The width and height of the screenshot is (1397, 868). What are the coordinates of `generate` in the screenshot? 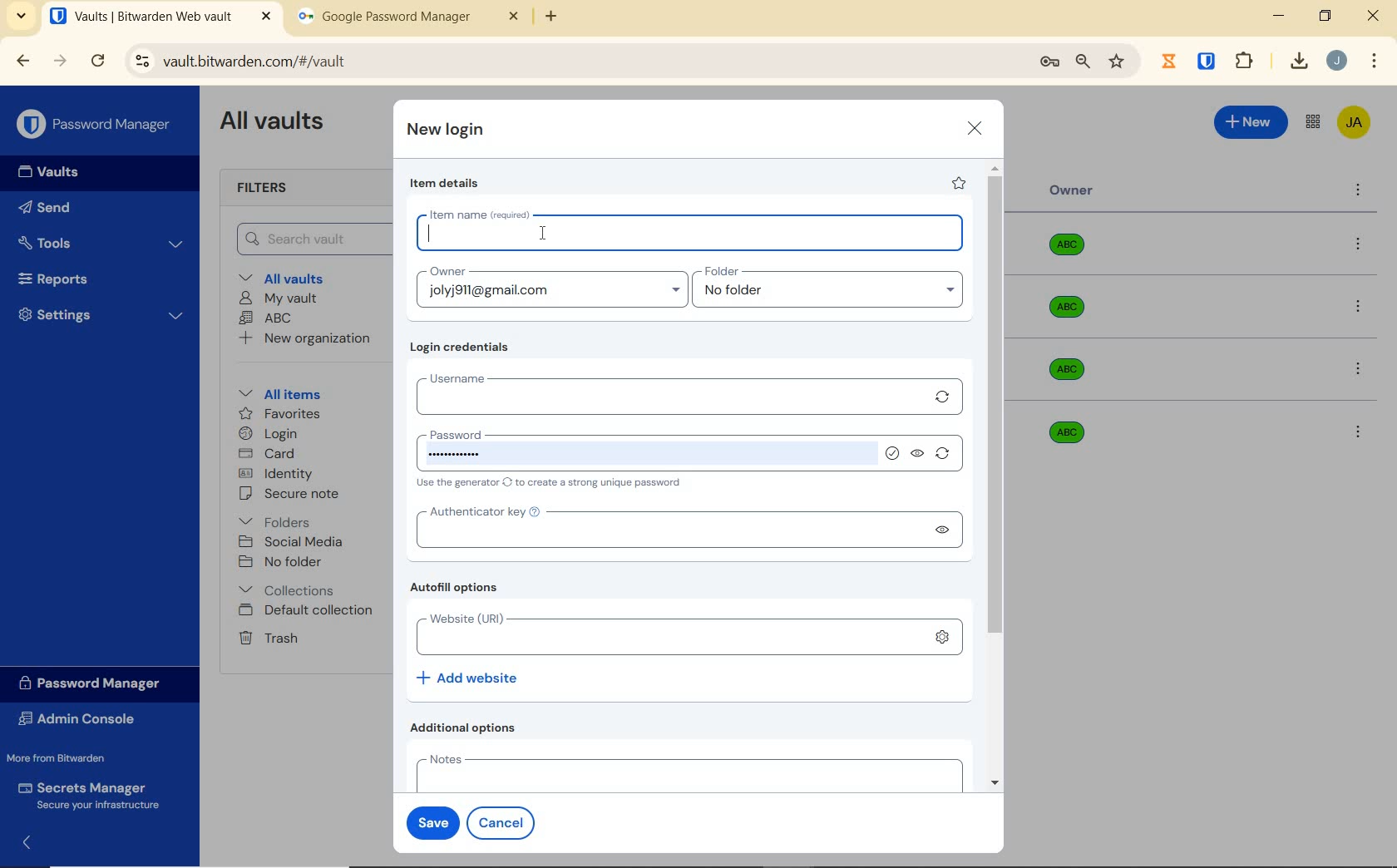 It's located at (946, 456).